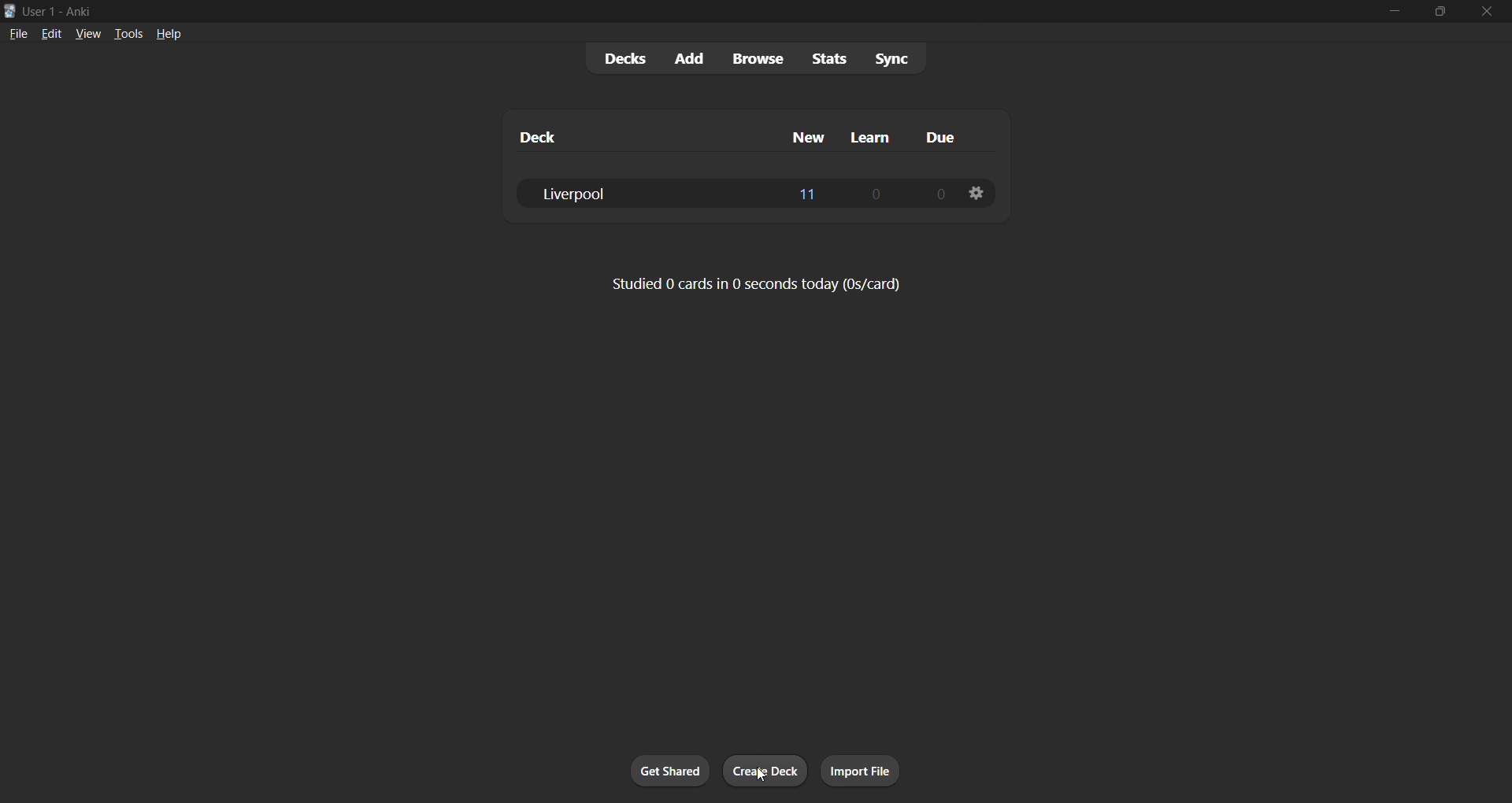 Image resolution: width=1512 pixels, height=803 pixels. What do you see at coordinates (1489, 12) in the screenshot?
I see `close` at bounding box center [1489, 12].